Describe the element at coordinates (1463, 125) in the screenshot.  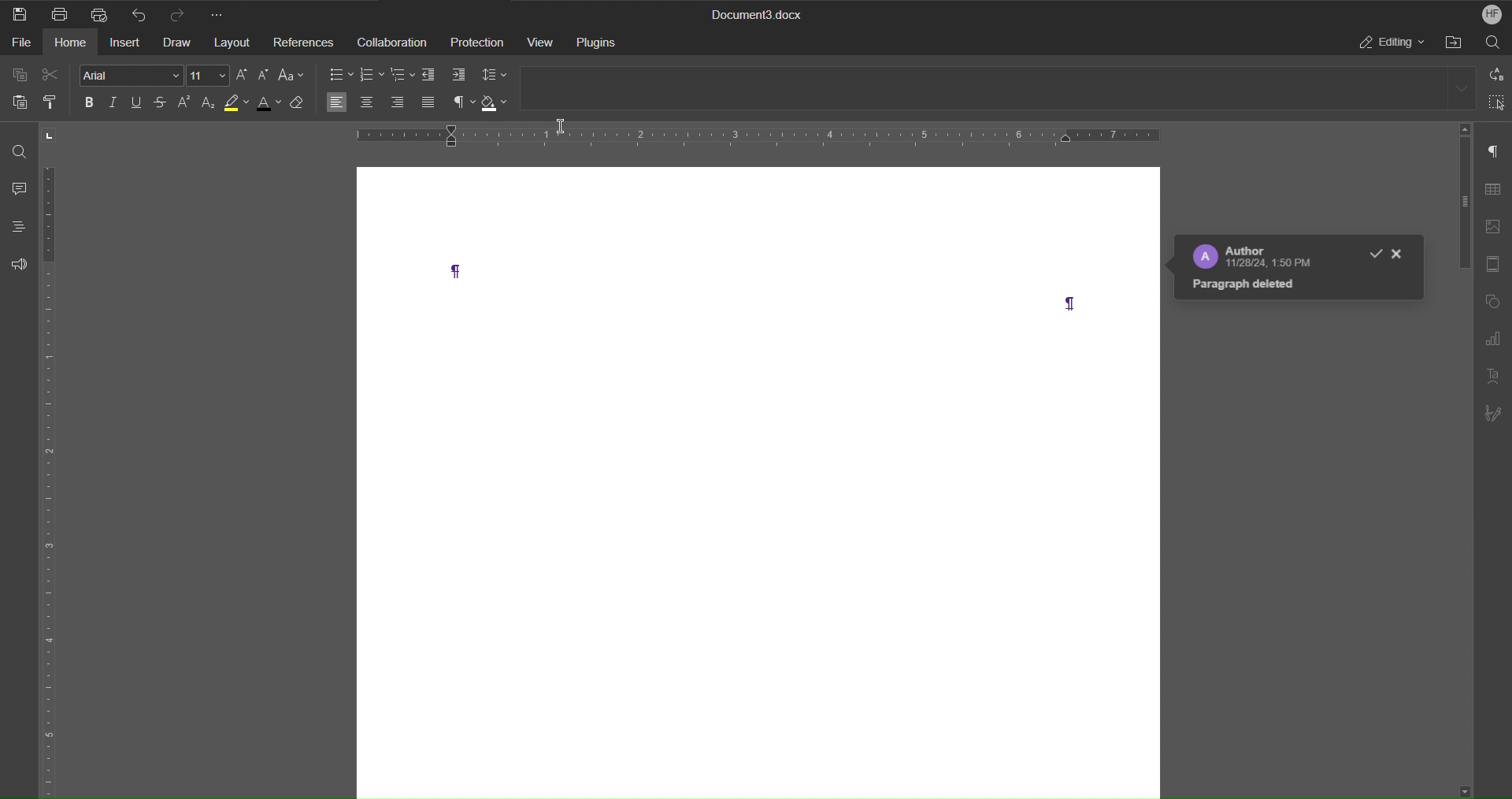
I see `Scroll up` at that location.